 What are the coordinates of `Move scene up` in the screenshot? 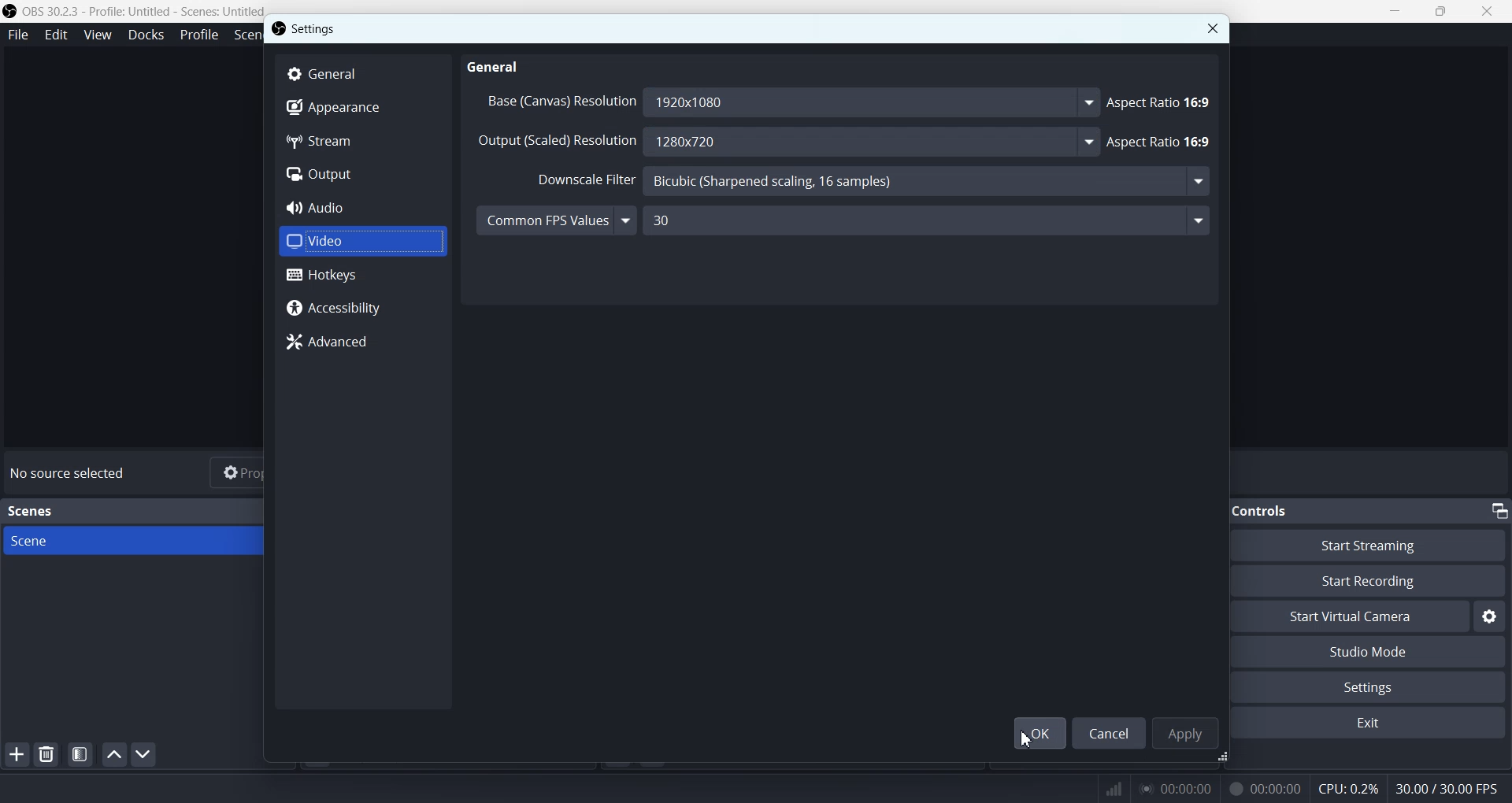 It's located at (114, 754).